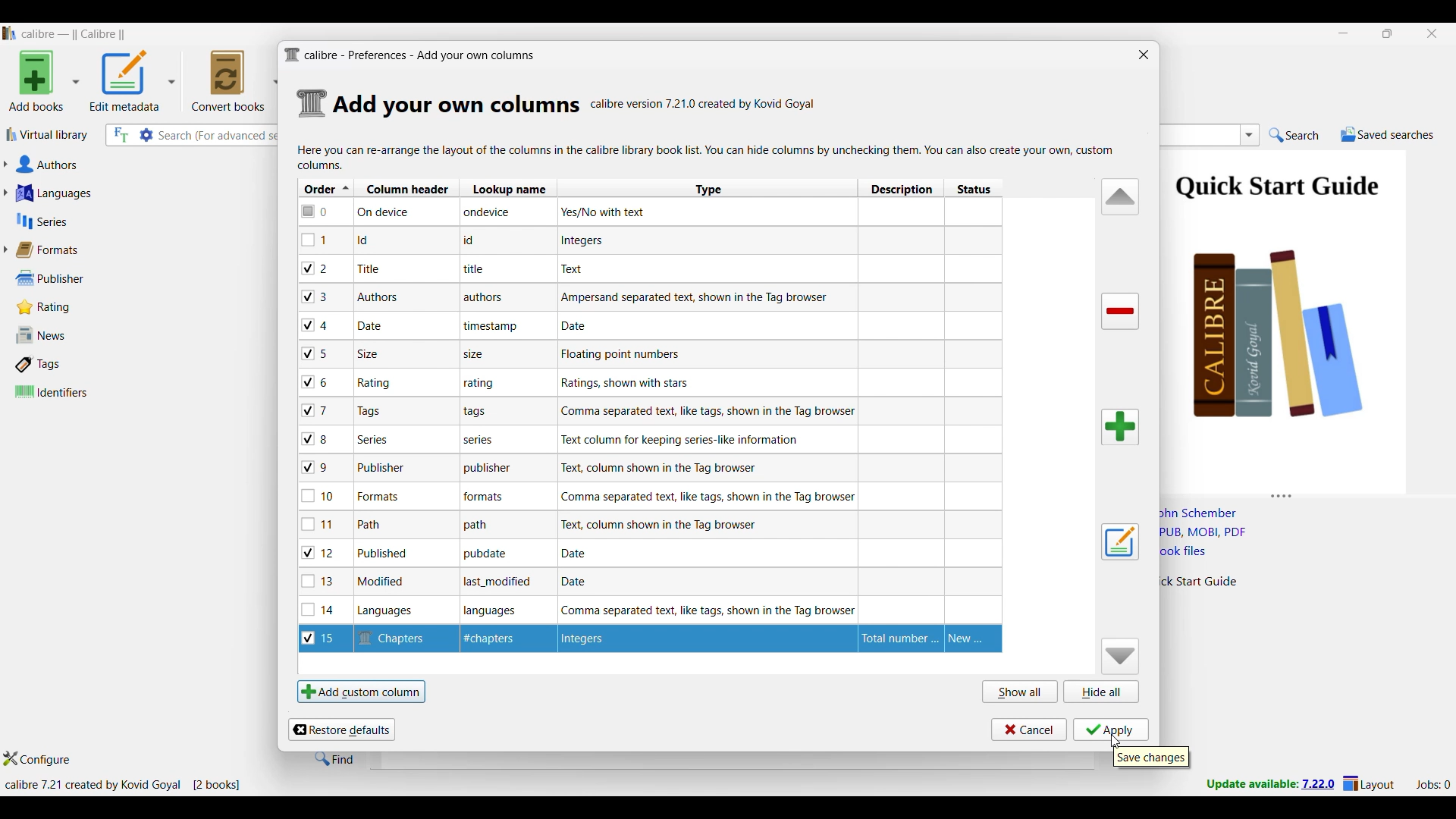 This screenshot has height=819, width=1456. I want to click on Formats, so click(54, 249).